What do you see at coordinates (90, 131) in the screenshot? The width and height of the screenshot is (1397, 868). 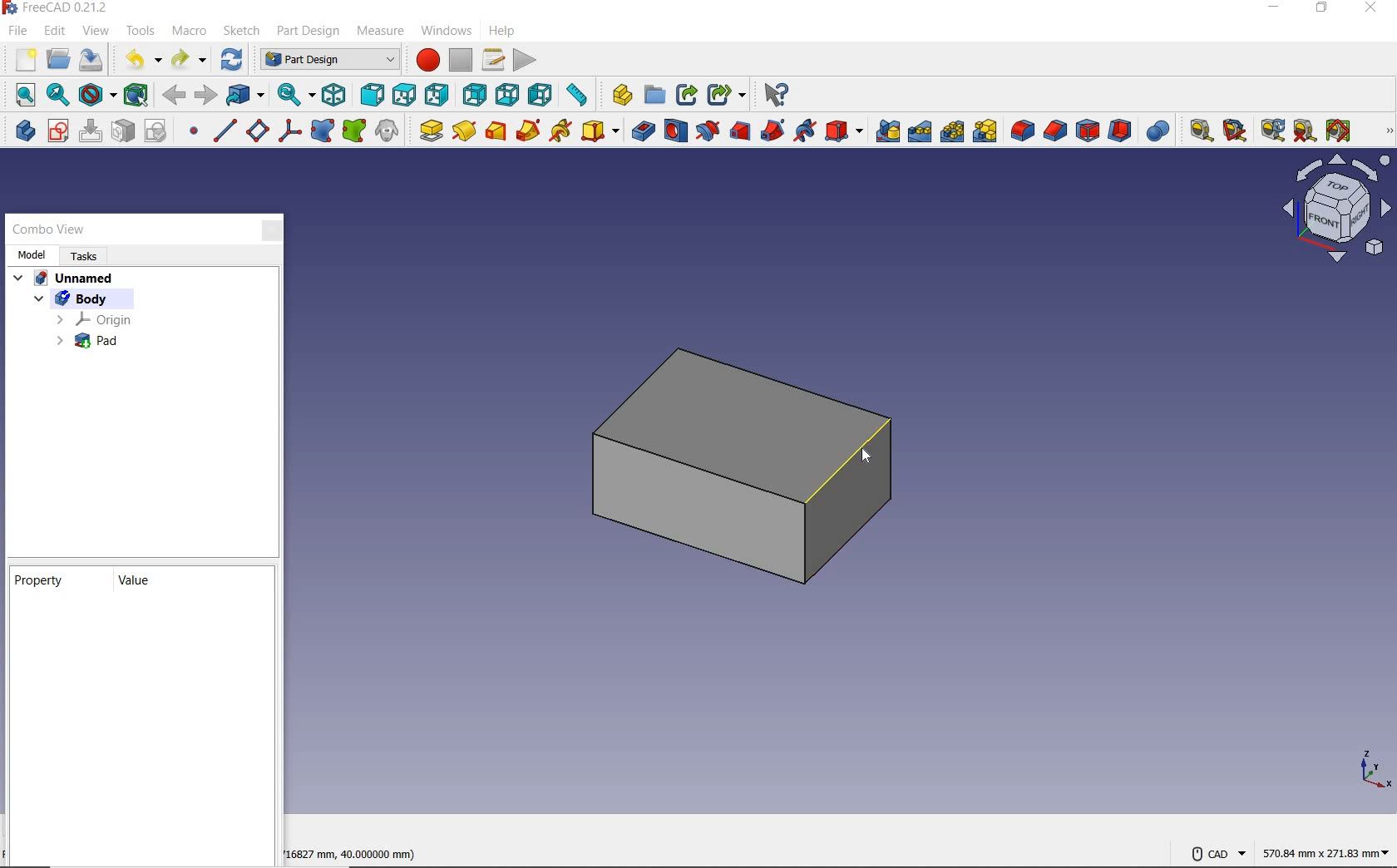 I see `edit sketch` at bounding box center [90, 131].